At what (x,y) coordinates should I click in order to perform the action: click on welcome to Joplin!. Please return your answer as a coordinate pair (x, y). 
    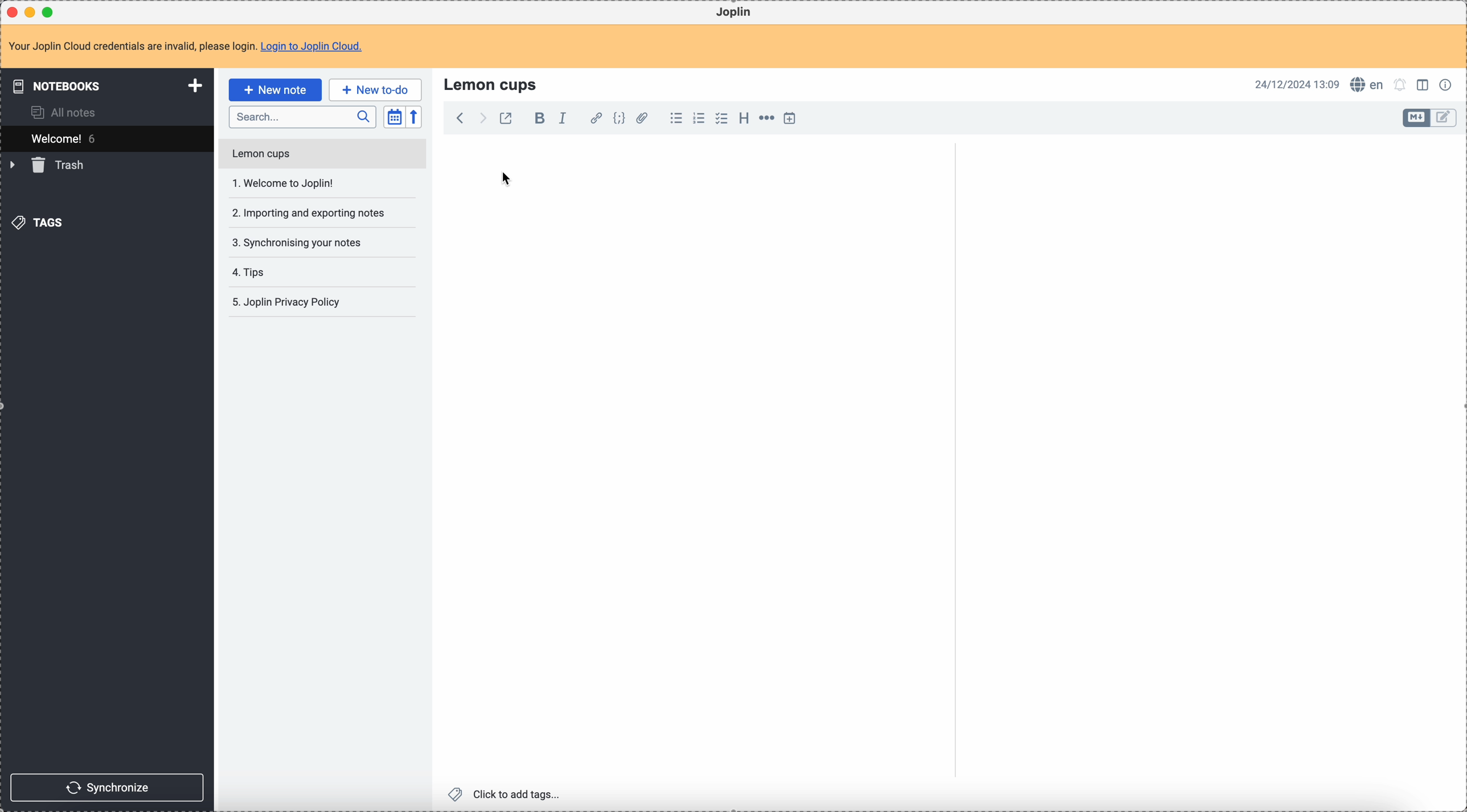
    Looking at the image, I should click on (284, 183).